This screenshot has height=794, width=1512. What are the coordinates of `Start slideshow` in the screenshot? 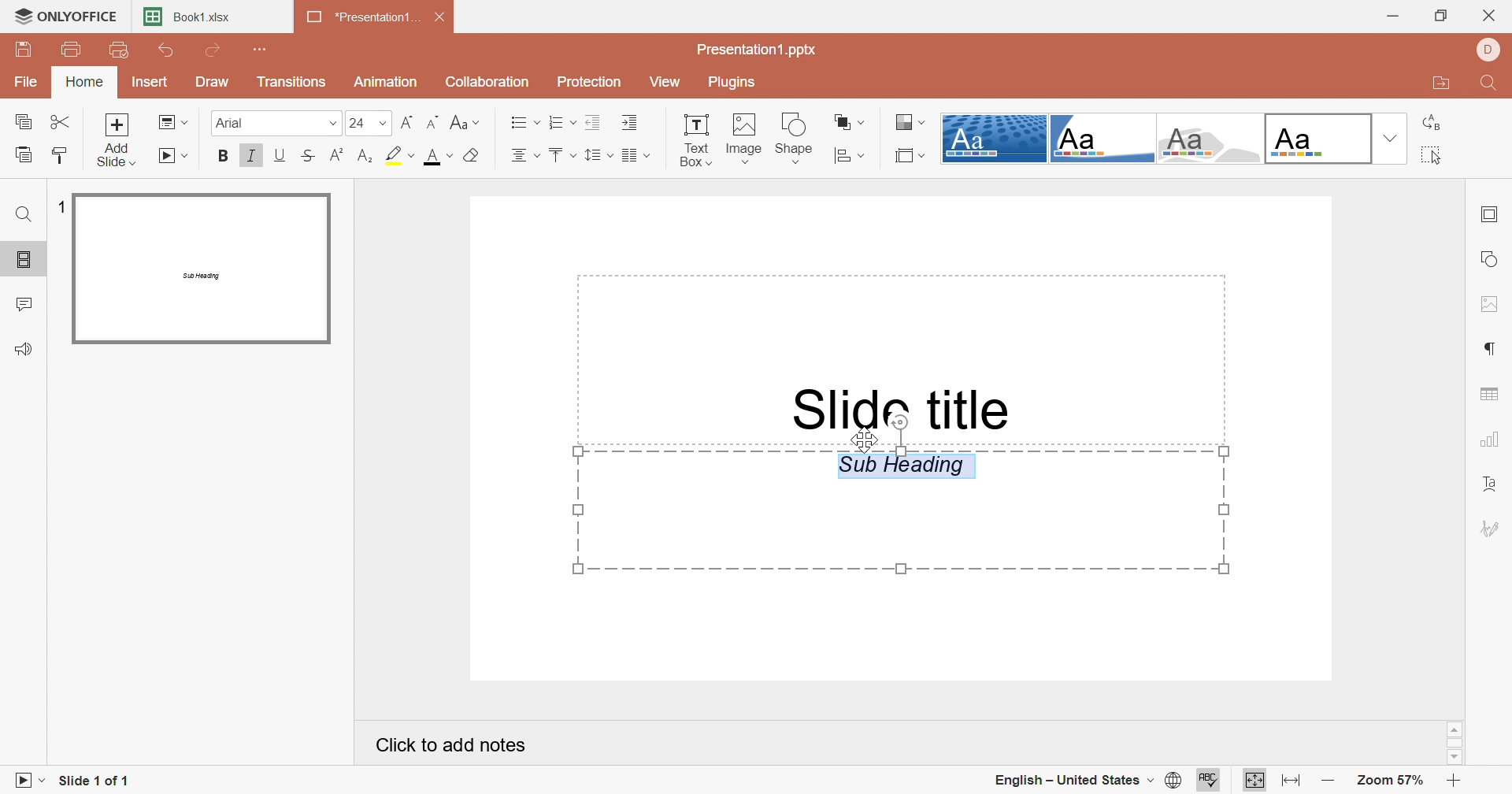 It's located at (174, 156).